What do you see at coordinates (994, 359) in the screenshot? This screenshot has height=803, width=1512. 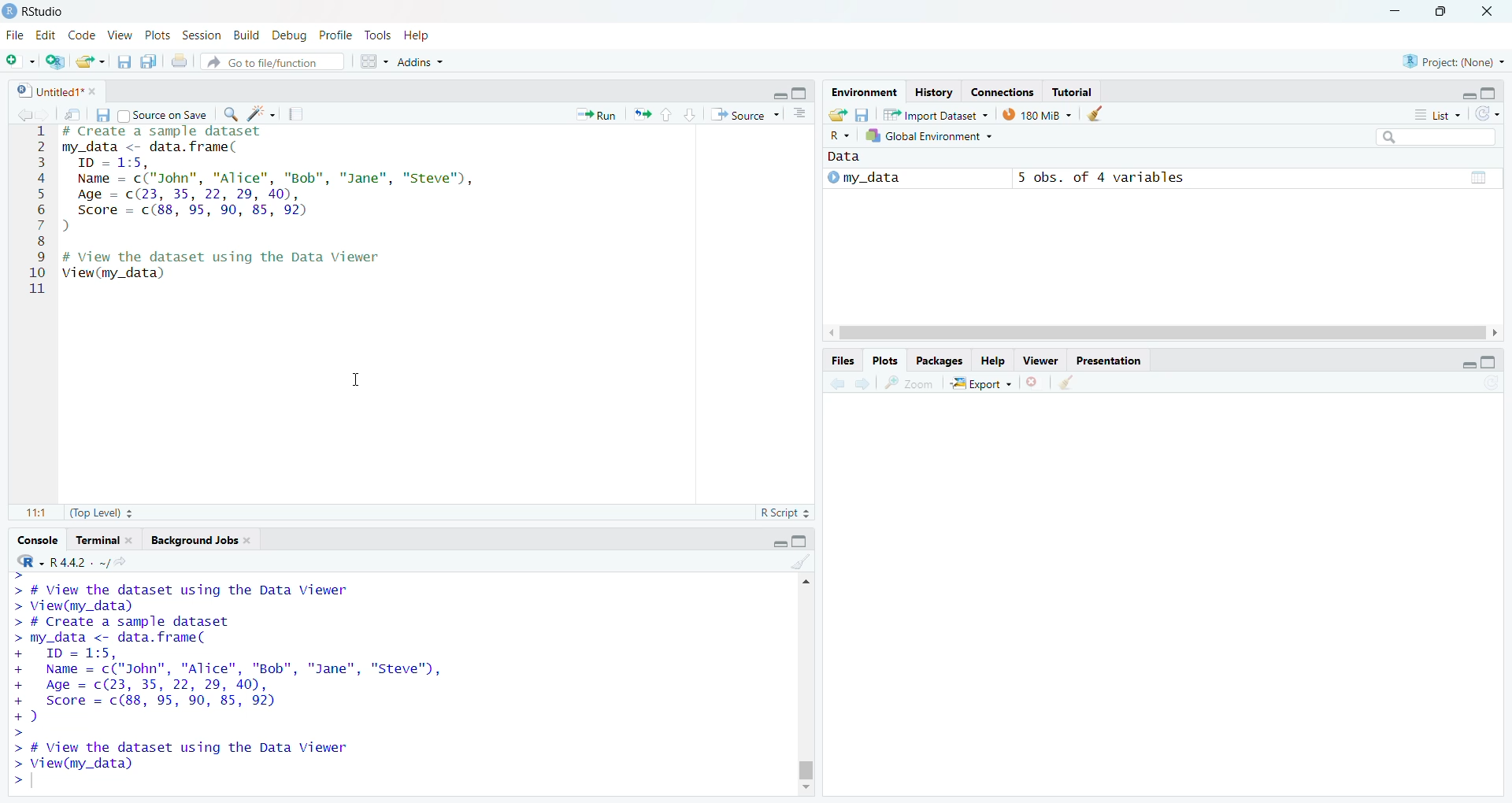 I see `Help` at bounding box center [994, 359].